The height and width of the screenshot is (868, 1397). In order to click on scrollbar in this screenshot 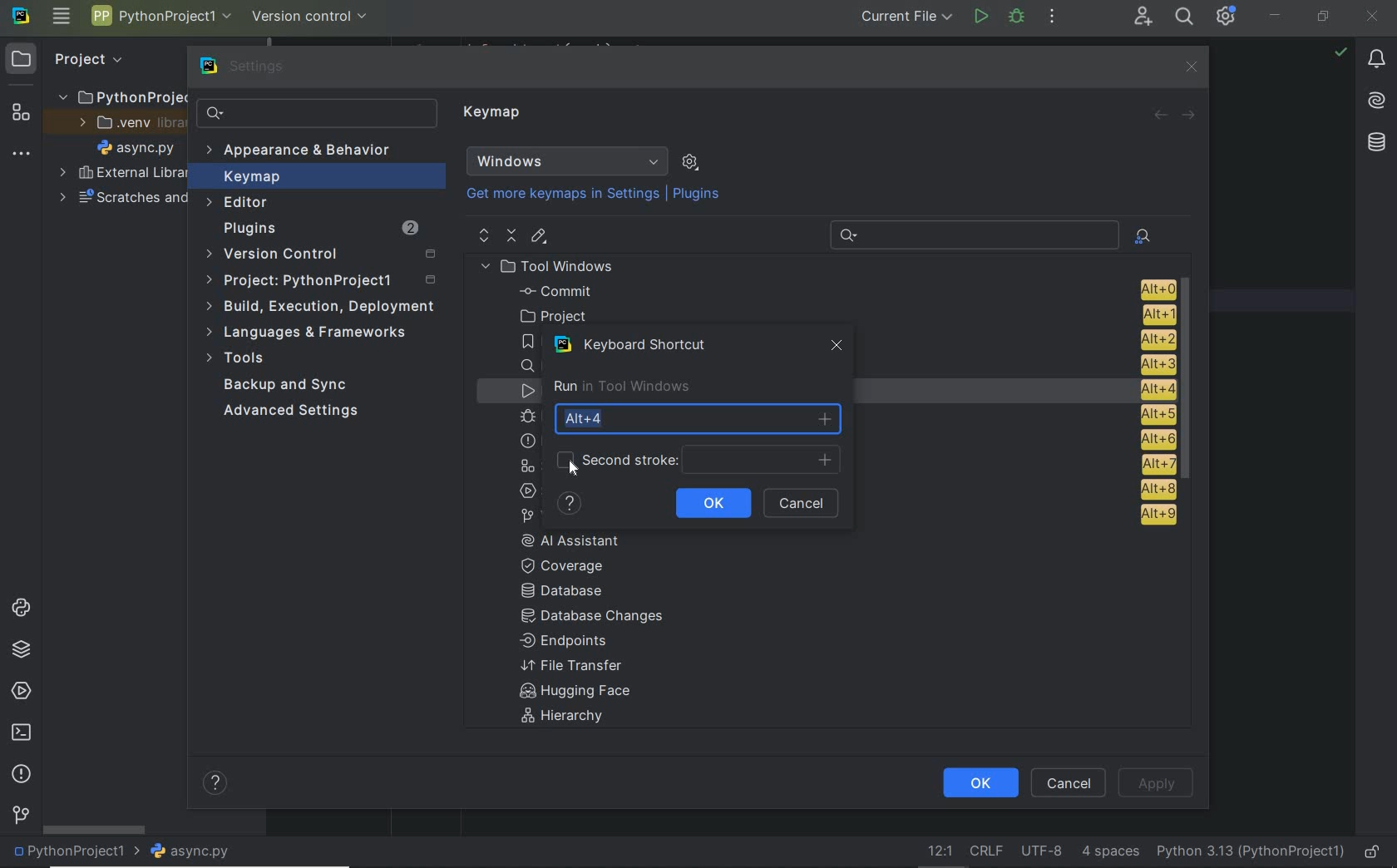, I will do `click(92, 829)`.